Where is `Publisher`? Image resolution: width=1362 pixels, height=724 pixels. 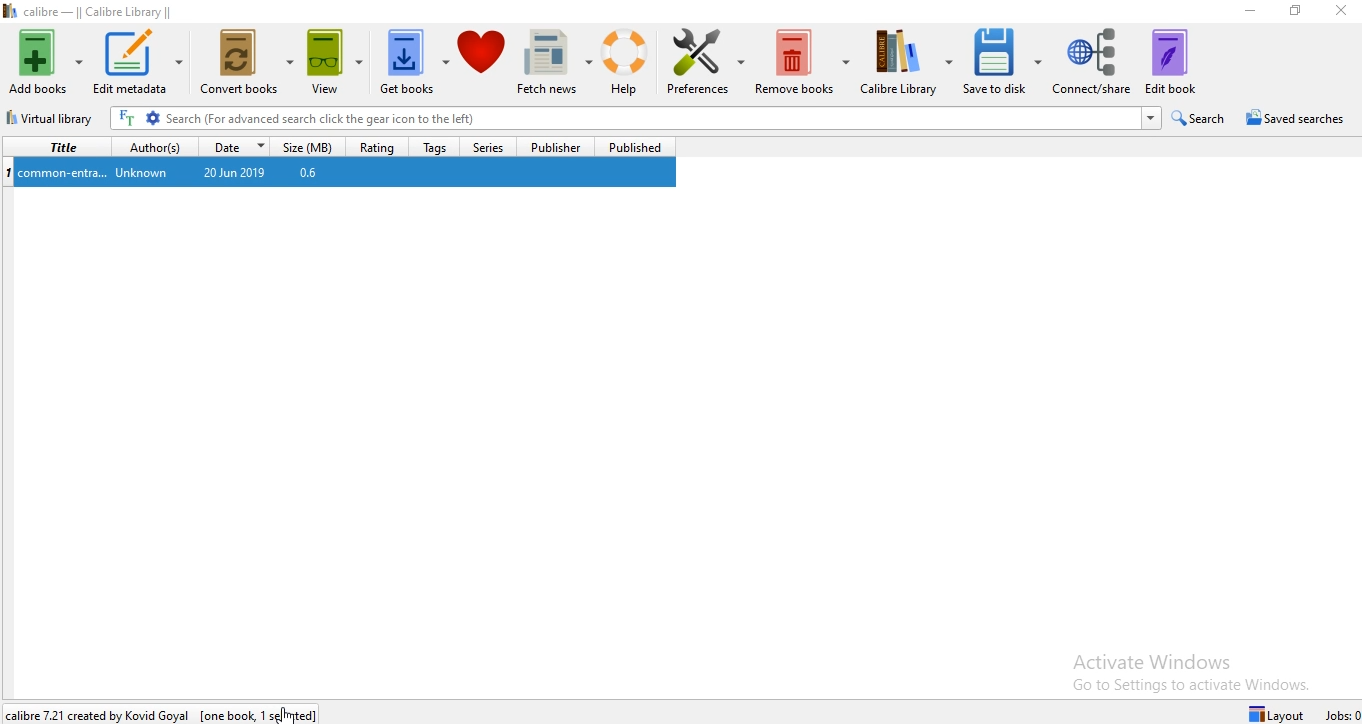
Publisher is located at coordinates (551, 146).